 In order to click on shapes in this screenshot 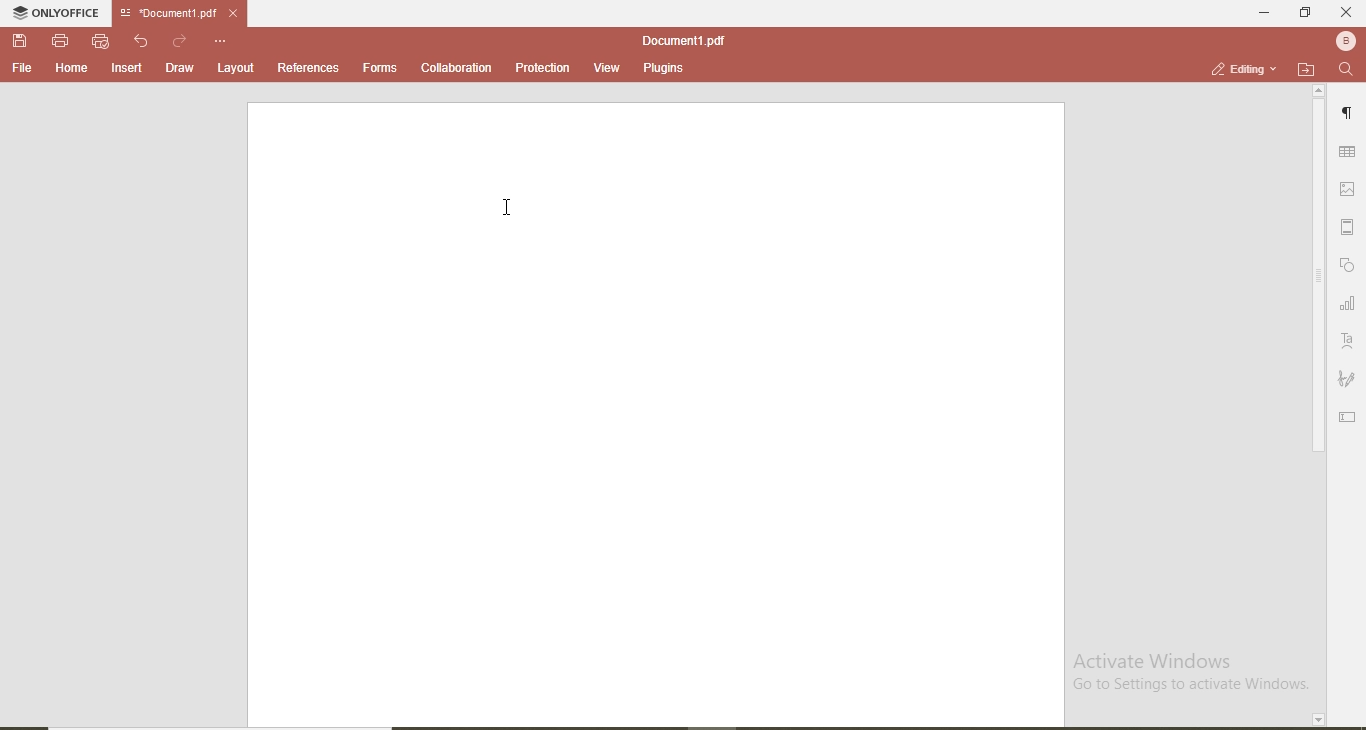, I will do `click(1350, 265)`.